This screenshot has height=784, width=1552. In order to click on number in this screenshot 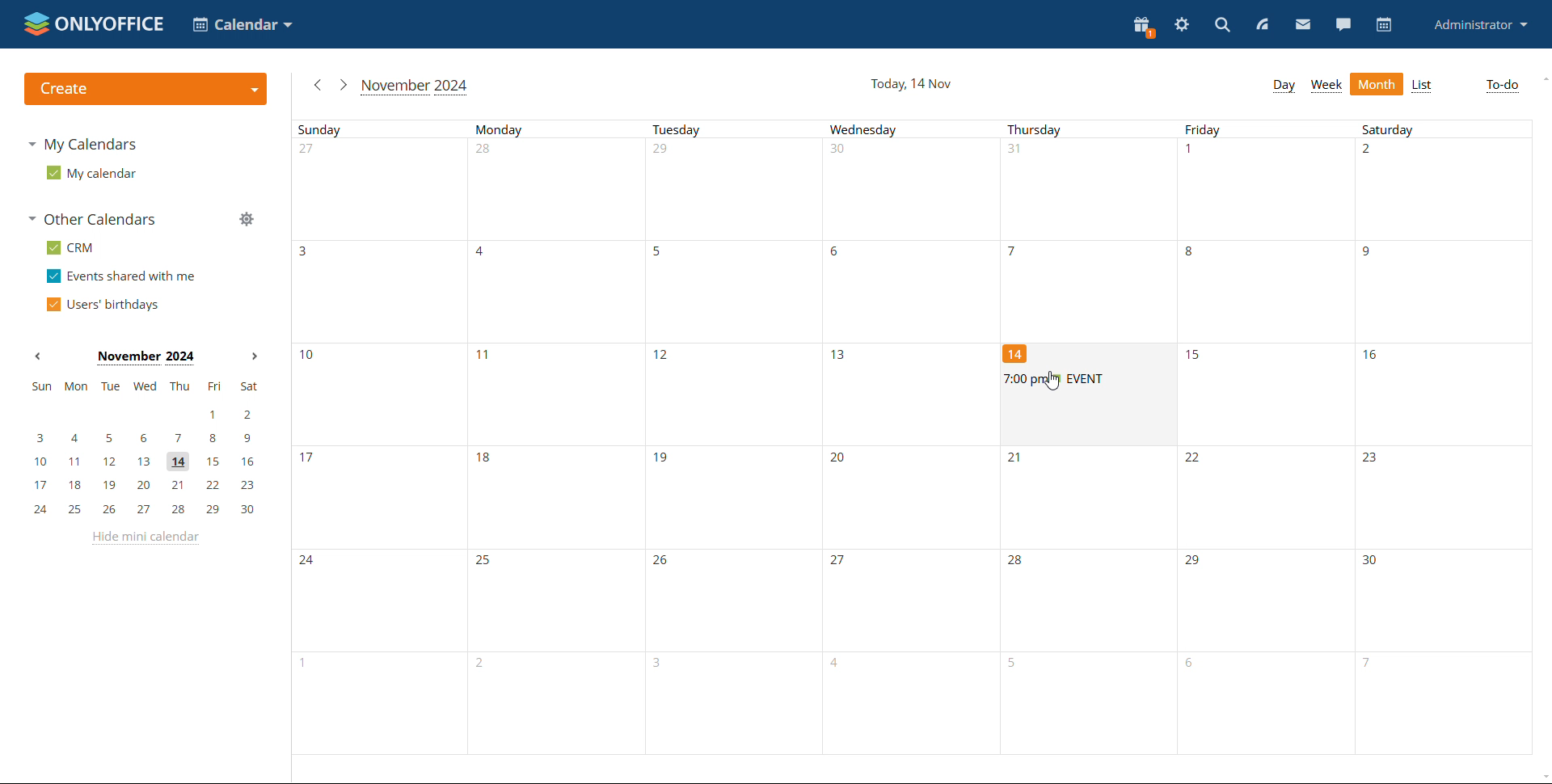, I will do `click(1373, 253)`.